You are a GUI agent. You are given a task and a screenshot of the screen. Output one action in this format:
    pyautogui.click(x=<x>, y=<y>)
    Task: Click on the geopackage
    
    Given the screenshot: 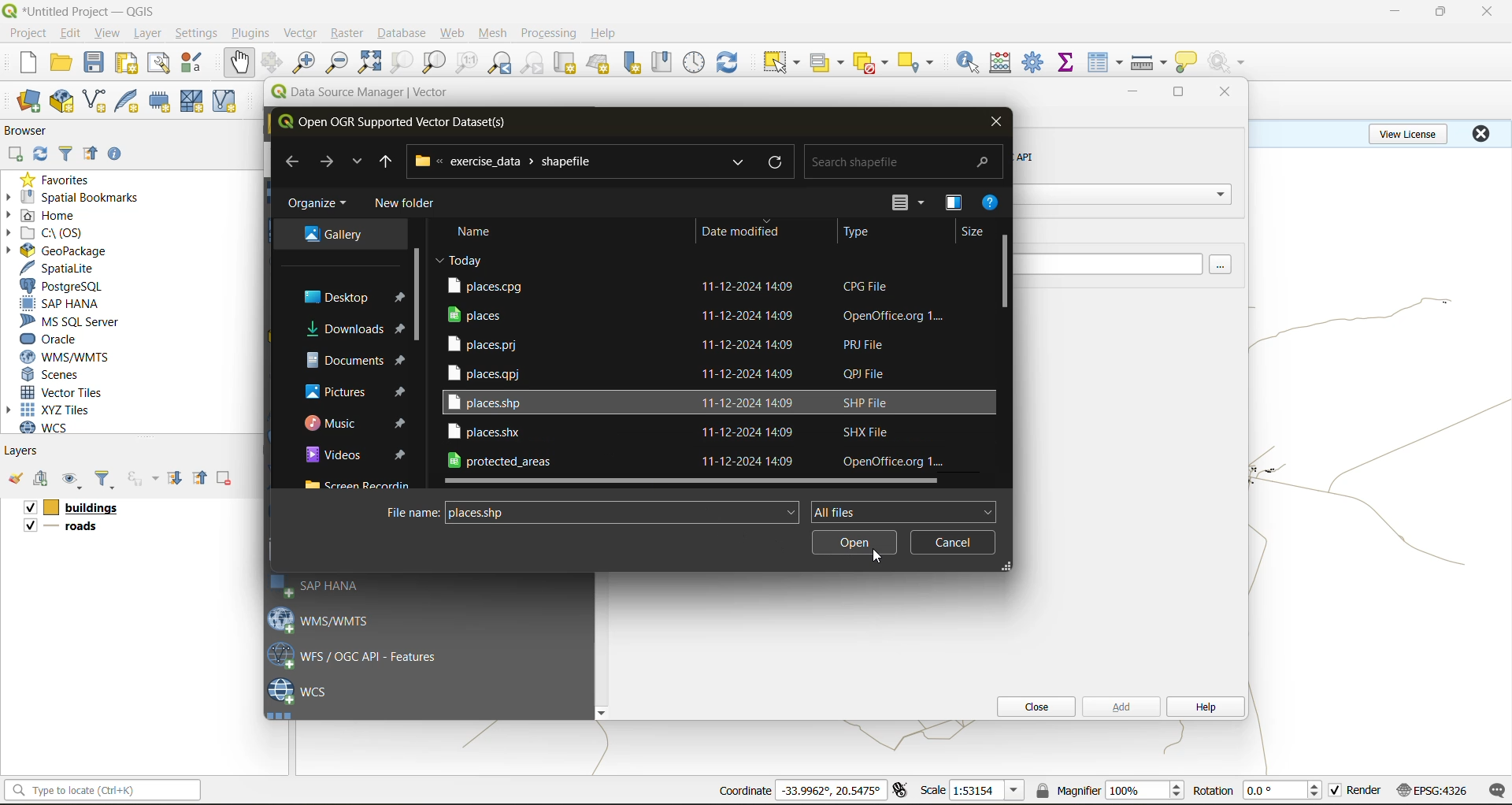 What is the action you would take?
    pyautogui.click(x=57, y=250)
    